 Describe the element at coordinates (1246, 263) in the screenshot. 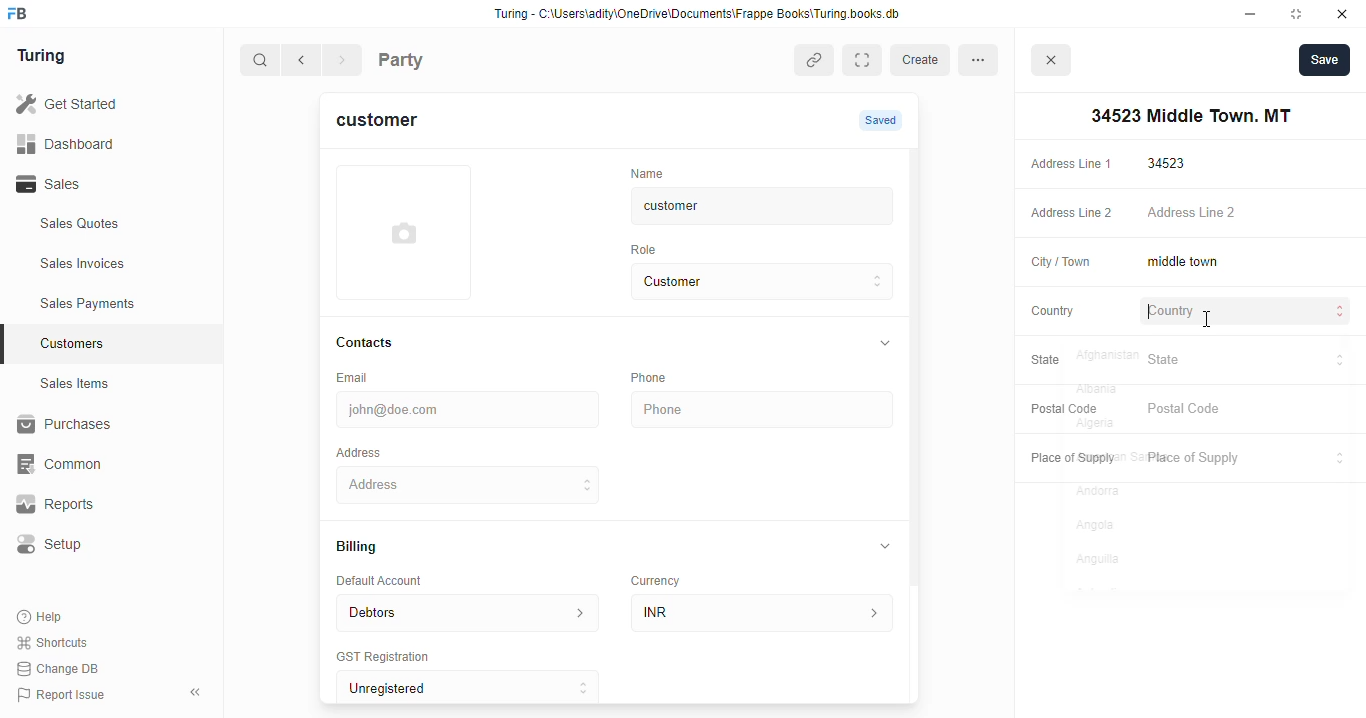

I see `middle town` at that location.